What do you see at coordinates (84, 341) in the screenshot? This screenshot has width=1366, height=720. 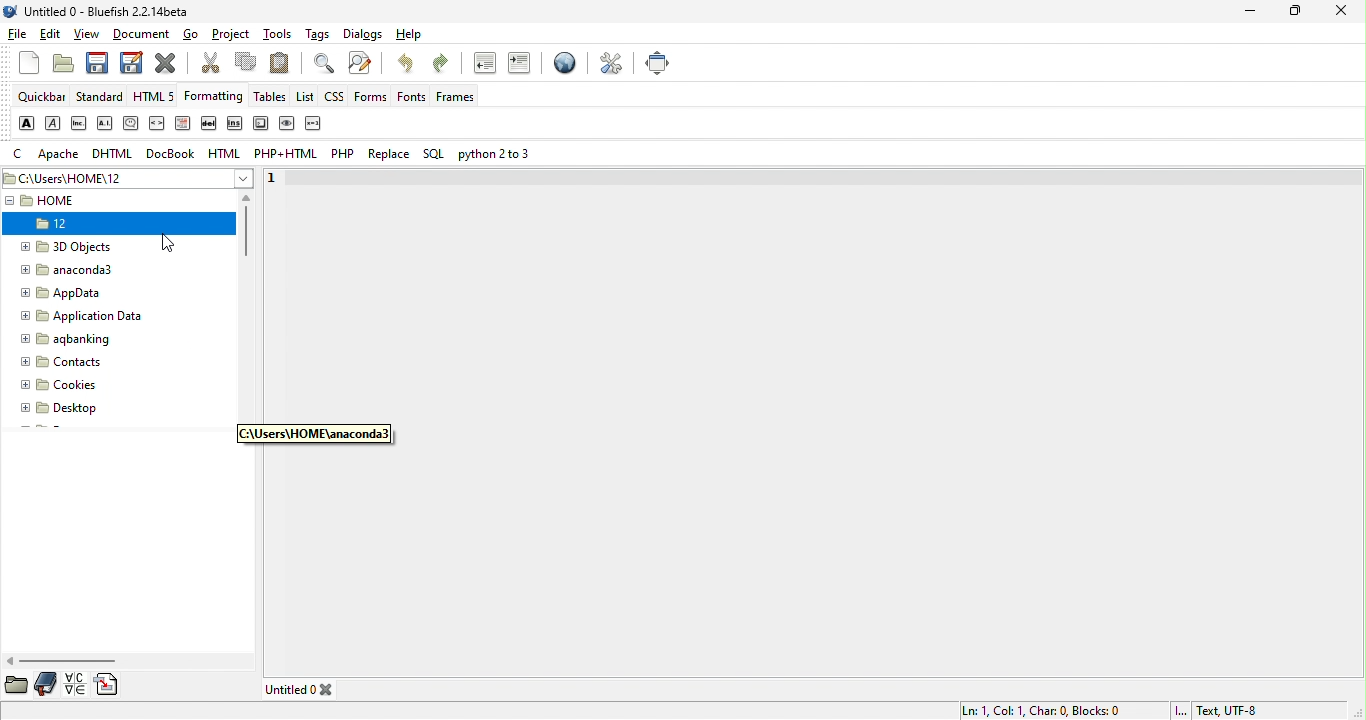 I see `aqbanking` at bounding box center [84, 341].